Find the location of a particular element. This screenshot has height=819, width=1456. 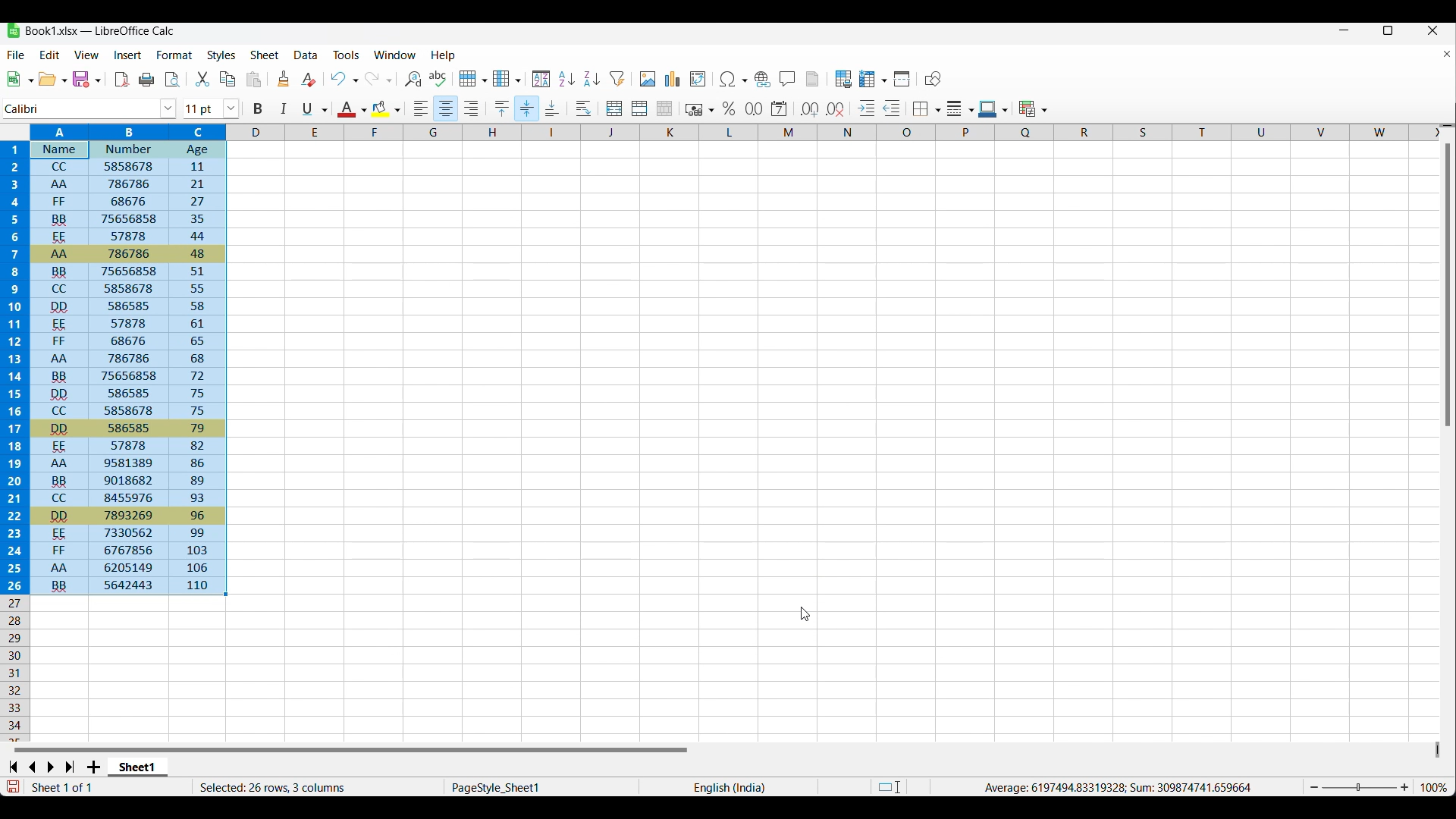

Add decimal place is located at coordinates (810, 109).